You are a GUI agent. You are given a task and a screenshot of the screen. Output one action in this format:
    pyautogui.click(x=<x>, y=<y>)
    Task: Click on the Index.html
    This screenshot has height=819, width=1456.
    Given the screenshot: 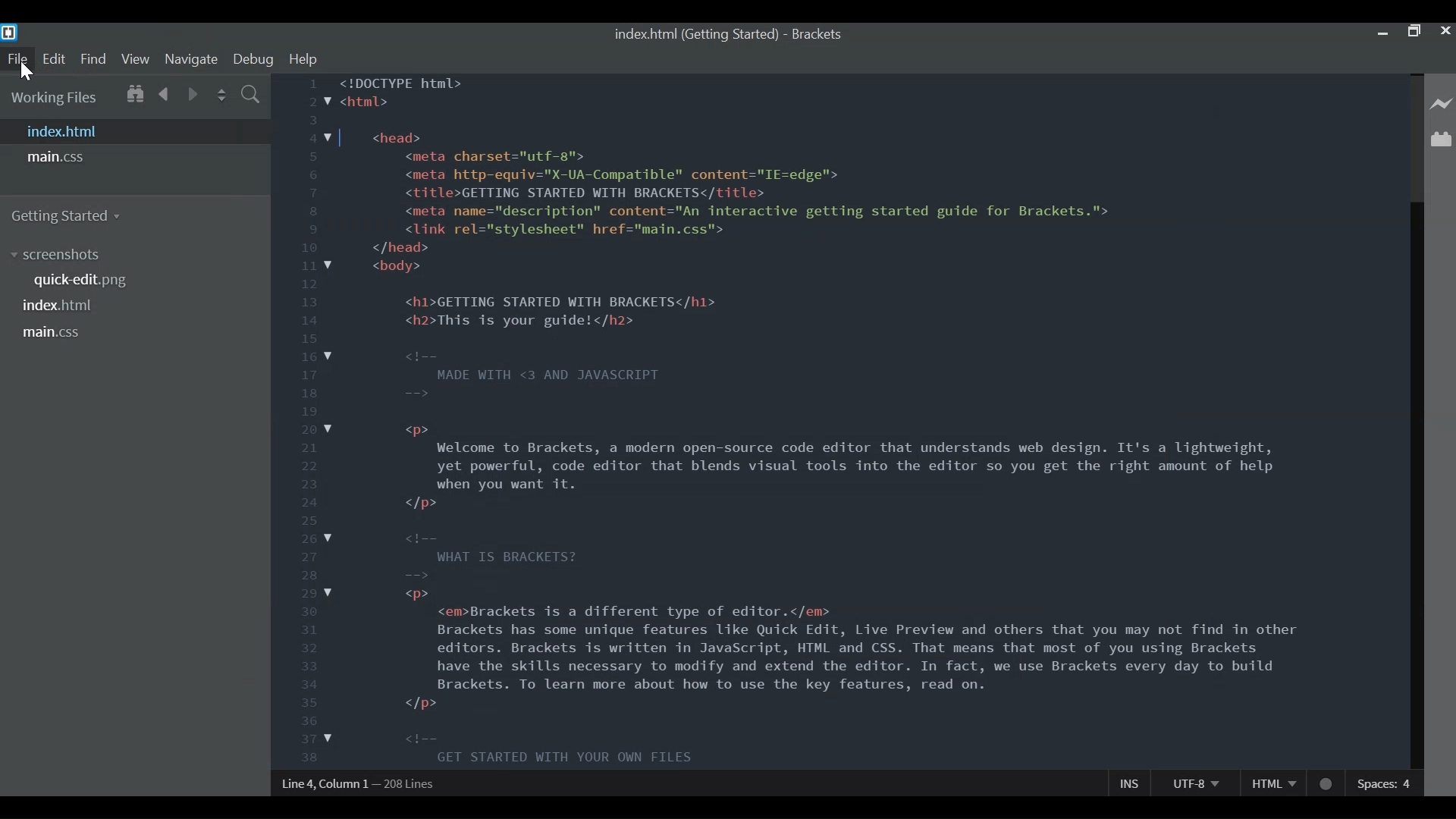 What is the action you would take?
    pyautogui.click(x=133, y=131)
    